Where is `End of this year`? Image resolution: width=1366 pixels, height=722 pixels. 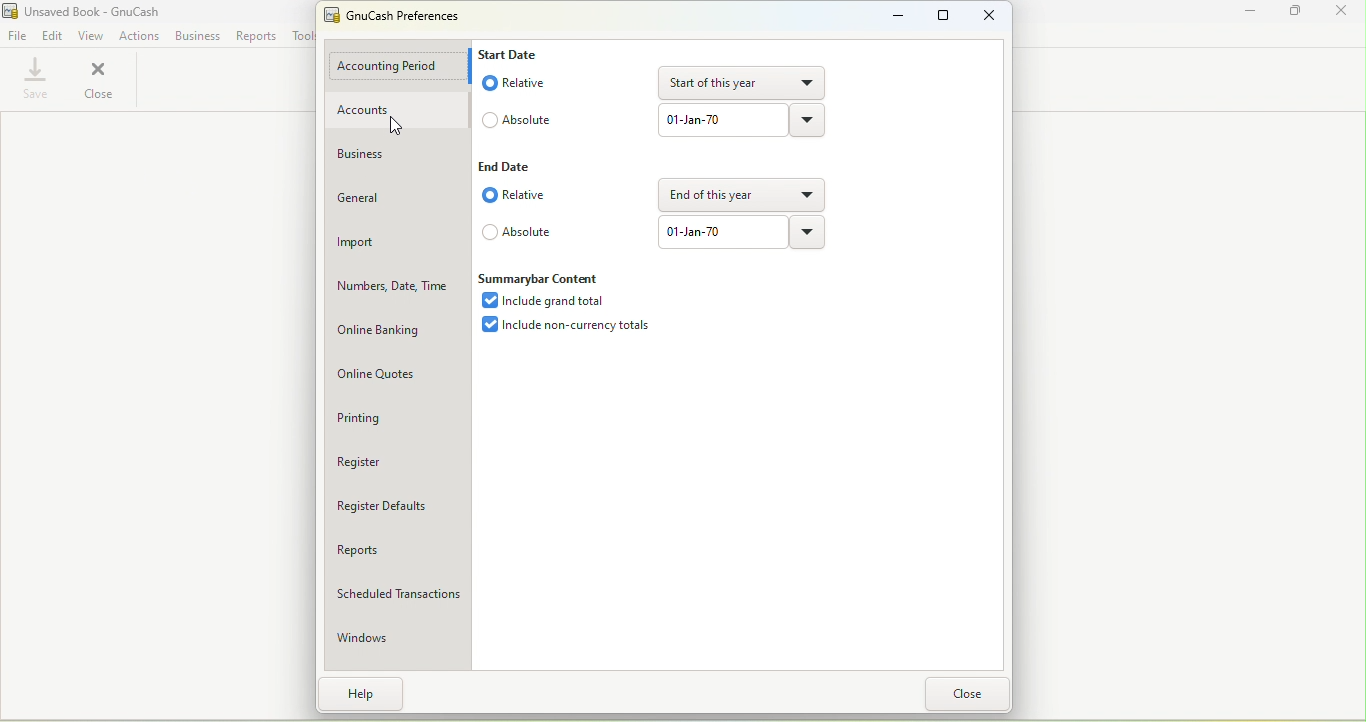
End of this year is located at coordinates (741, 193).